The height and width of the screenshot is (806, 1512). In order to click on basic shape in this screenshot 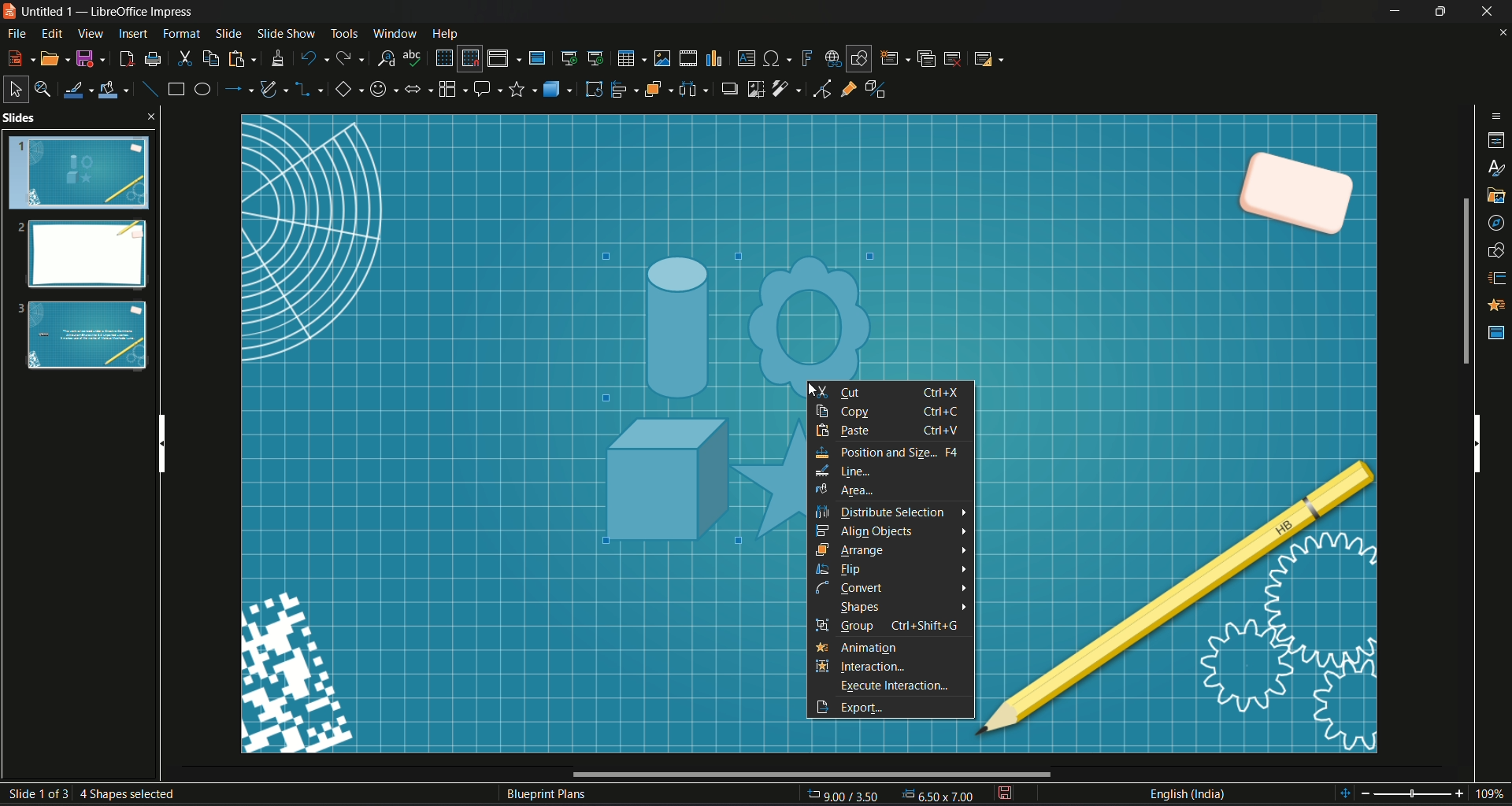, I will do `click(347, 91)`.